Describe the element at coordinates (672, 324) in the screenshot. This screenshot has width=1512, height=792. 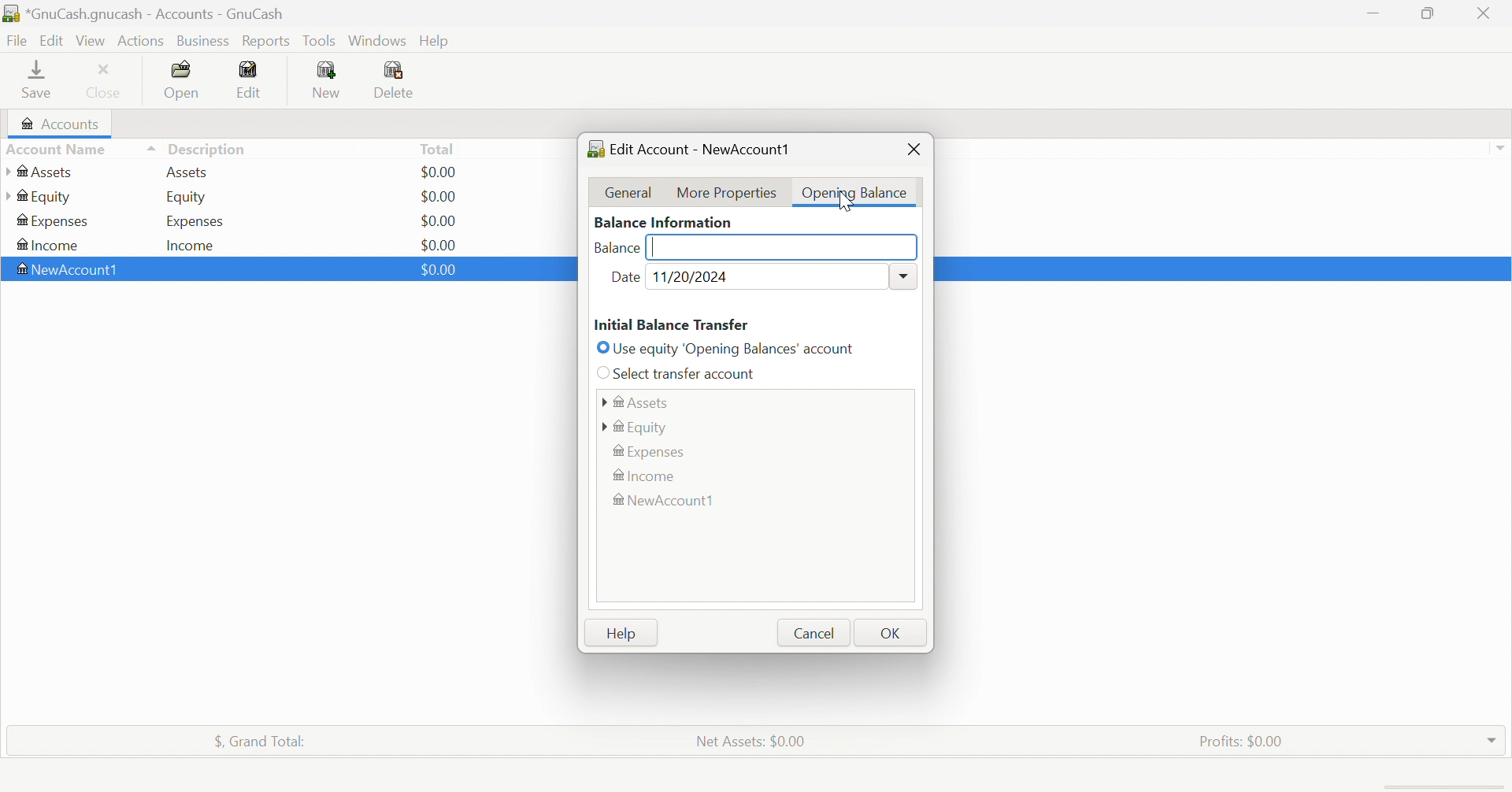
I see `Initial Balance Transfer` at that location.